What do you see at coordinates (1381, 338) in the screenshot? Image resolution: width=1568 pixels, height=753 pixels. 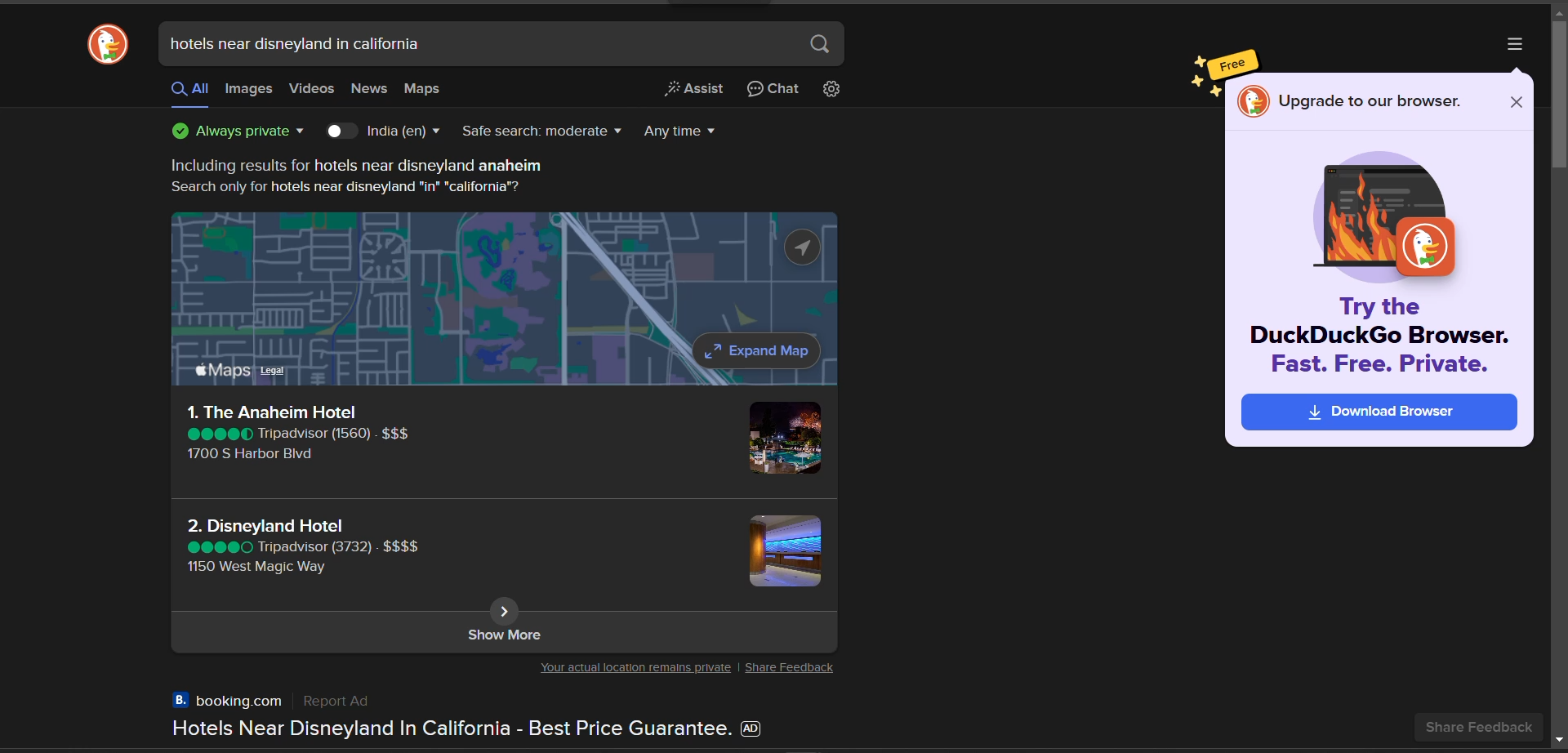 I see `Try the DuckDuckGo Browser. Fast. Free. Private.` at bounding box center [1381, 338].